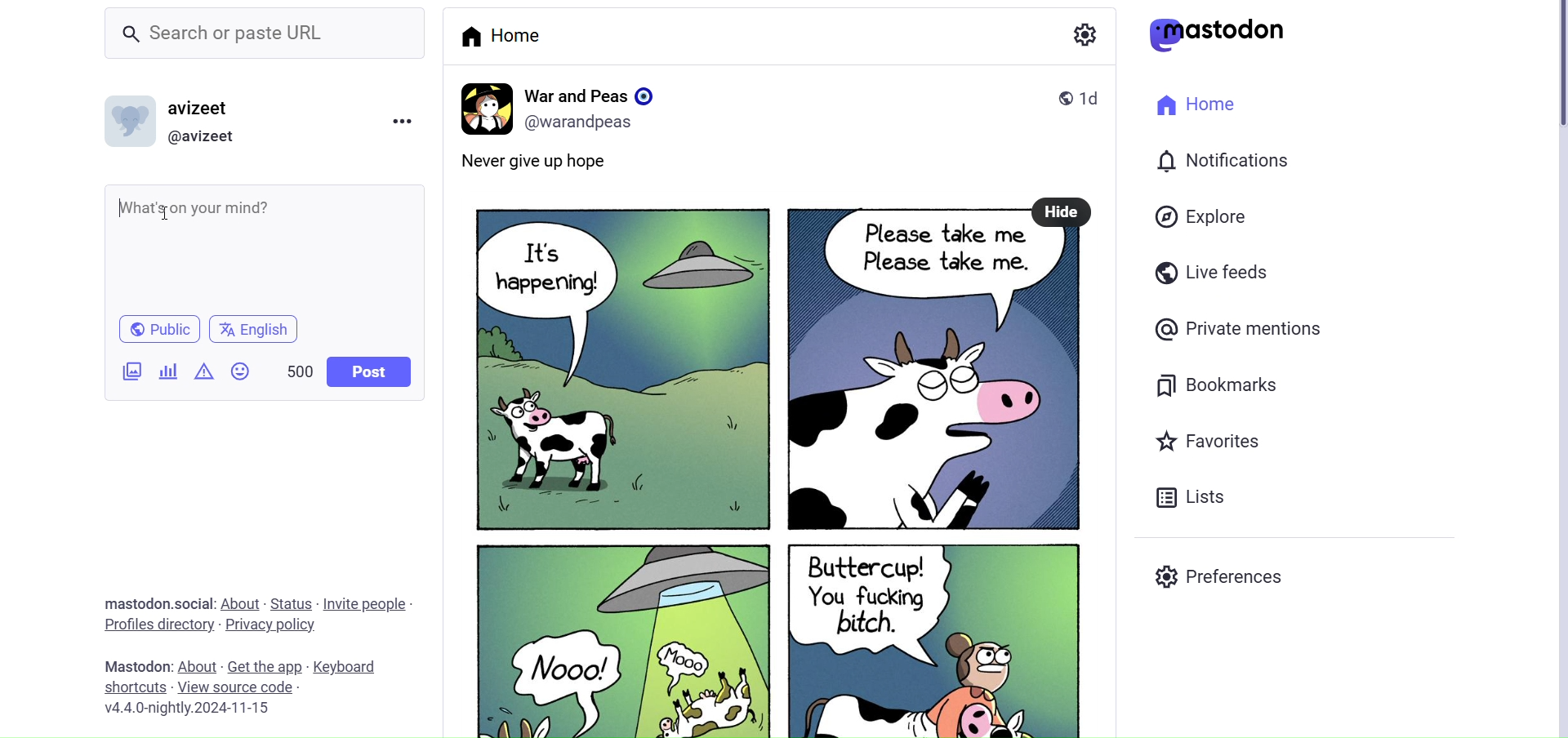 The height and width of the screenshot is (738, 1568). Describe the element at coordinates (132, 687) in the screenshot. I see `Shortcuts` at that location.